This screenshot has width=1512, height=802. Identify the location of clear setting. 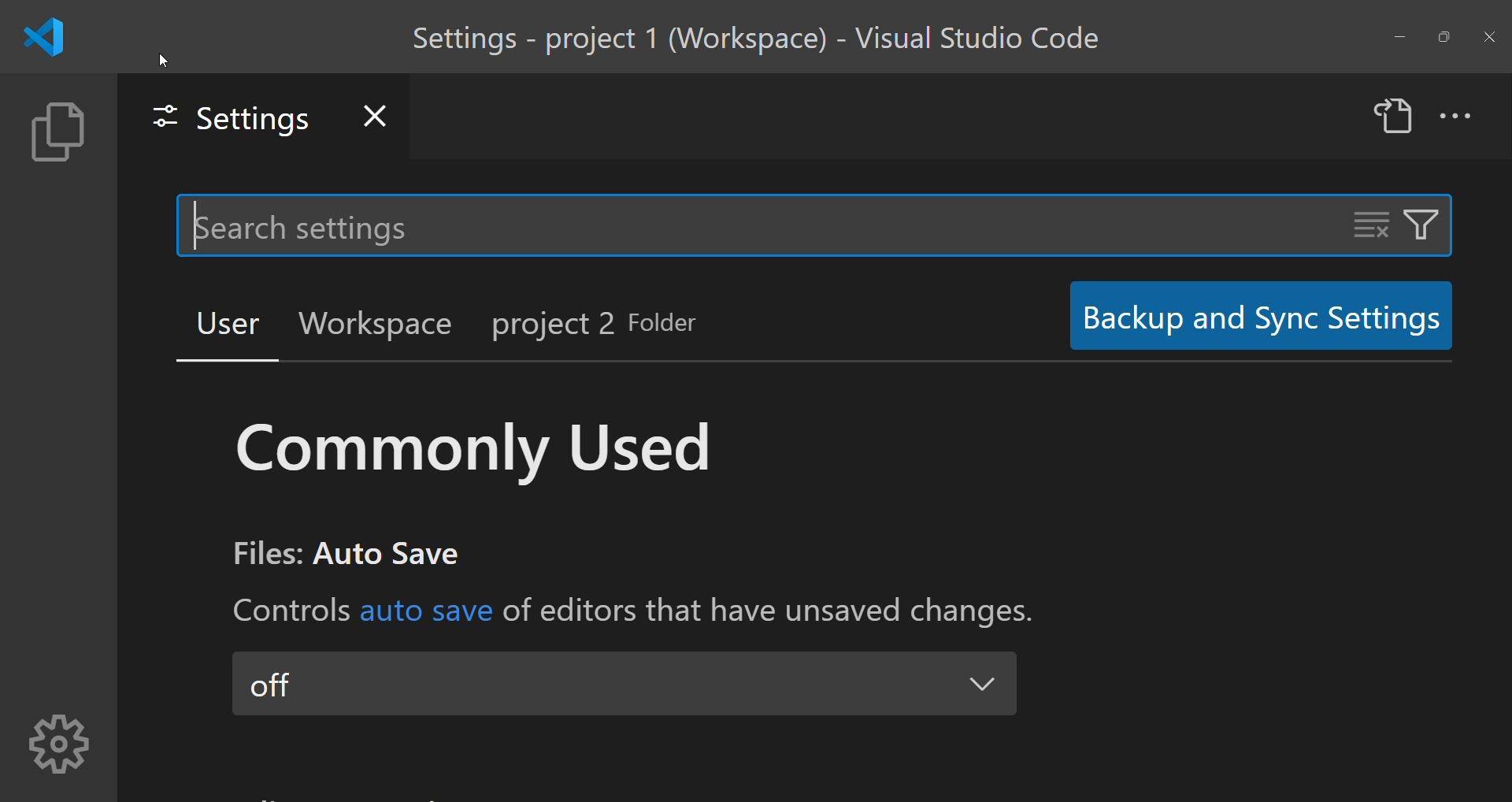
(1362, 223).